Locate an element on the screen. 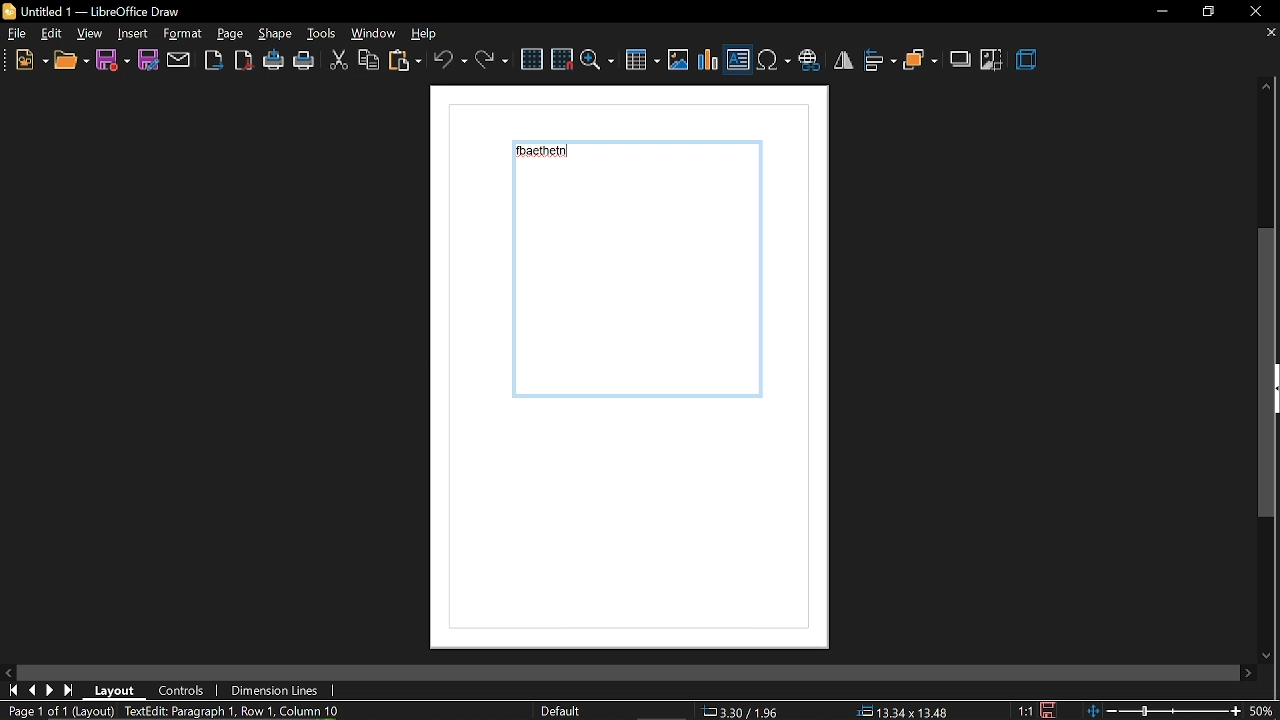 The height and width of the screenshot is (720, 1280). export as pdf is located at coordinates (243, 60).